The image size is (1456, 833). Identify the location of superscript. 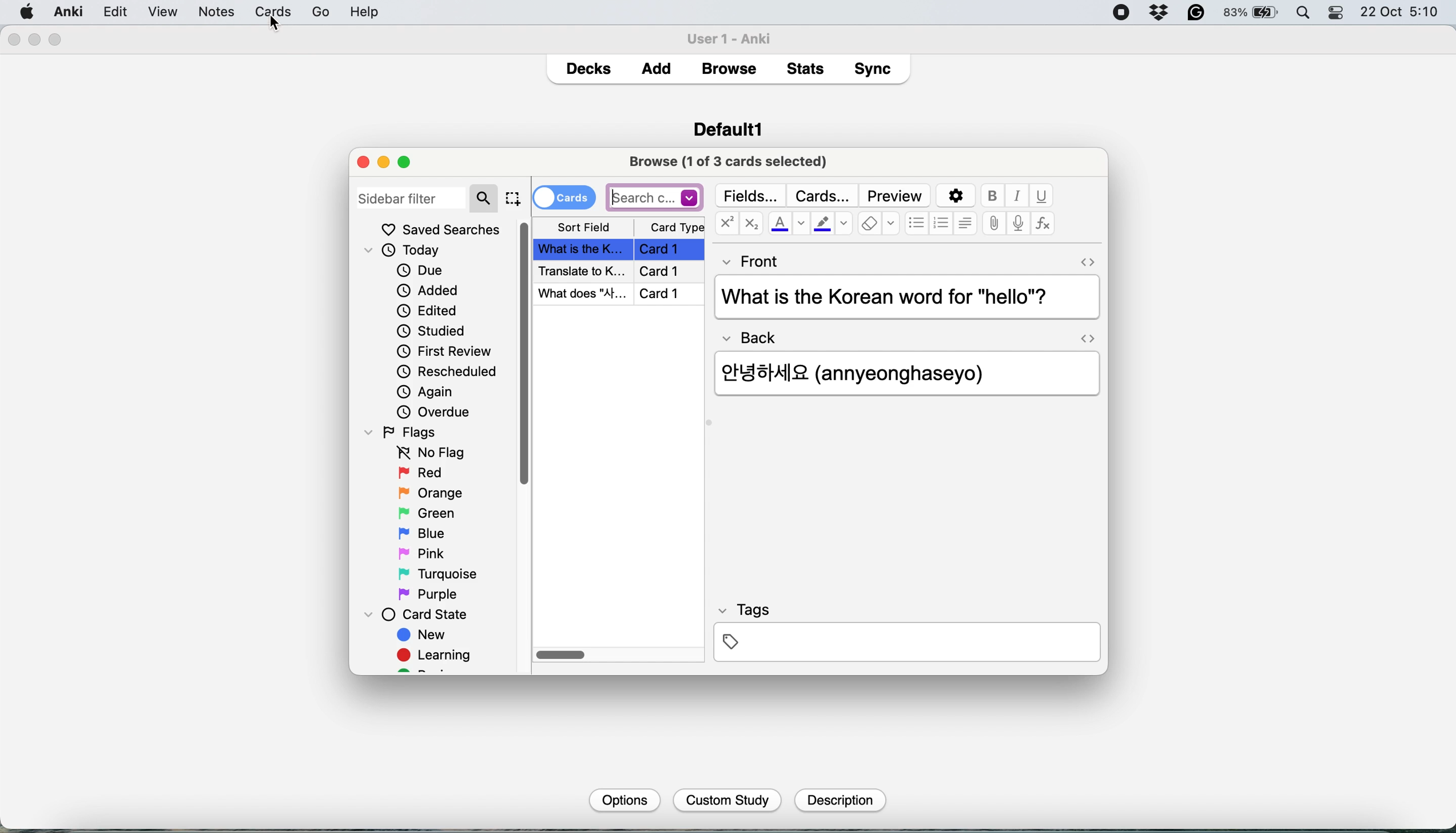
(726, 225).